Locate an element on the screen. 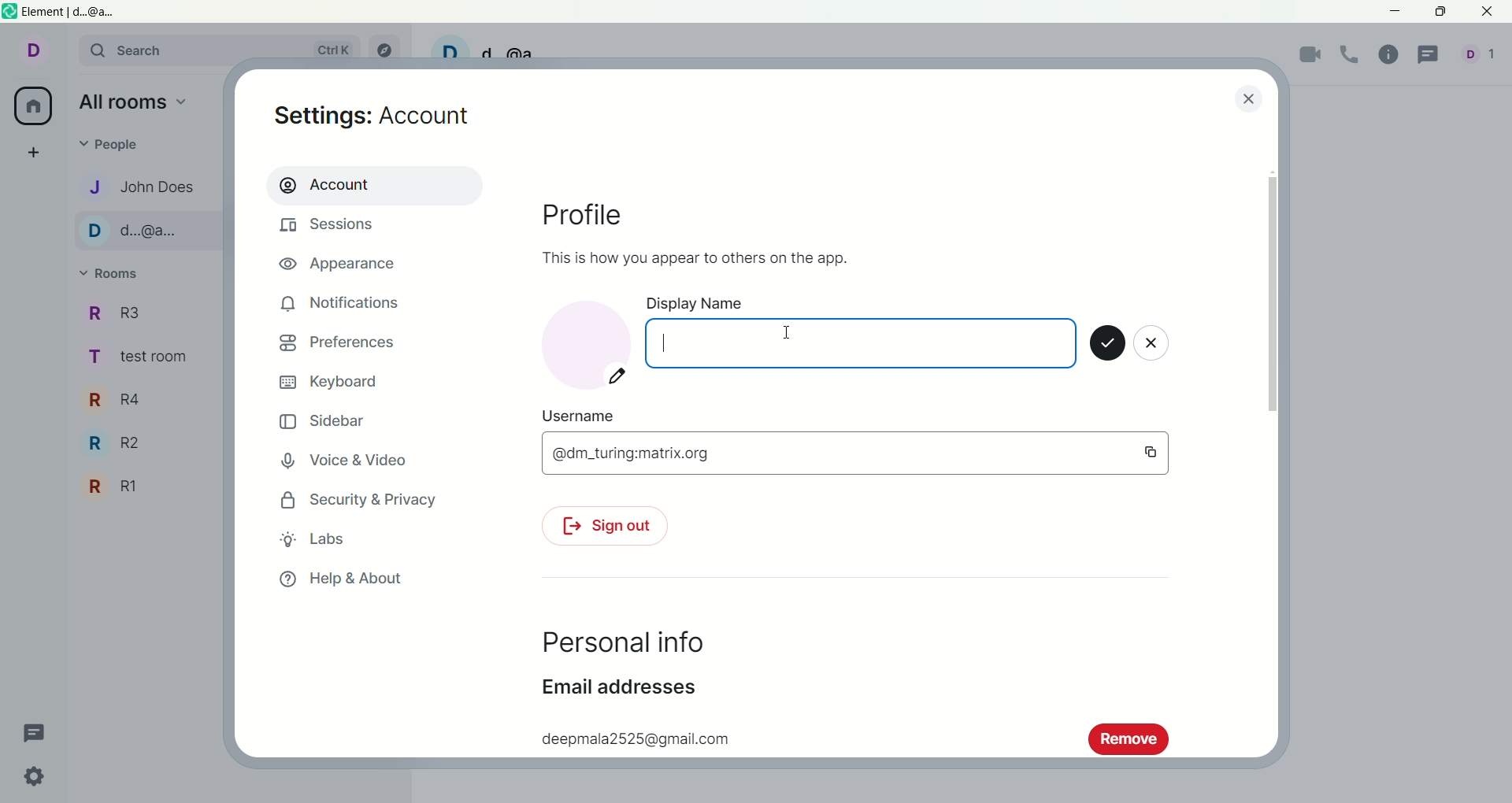  appearance is located at coordinates (344, 266).